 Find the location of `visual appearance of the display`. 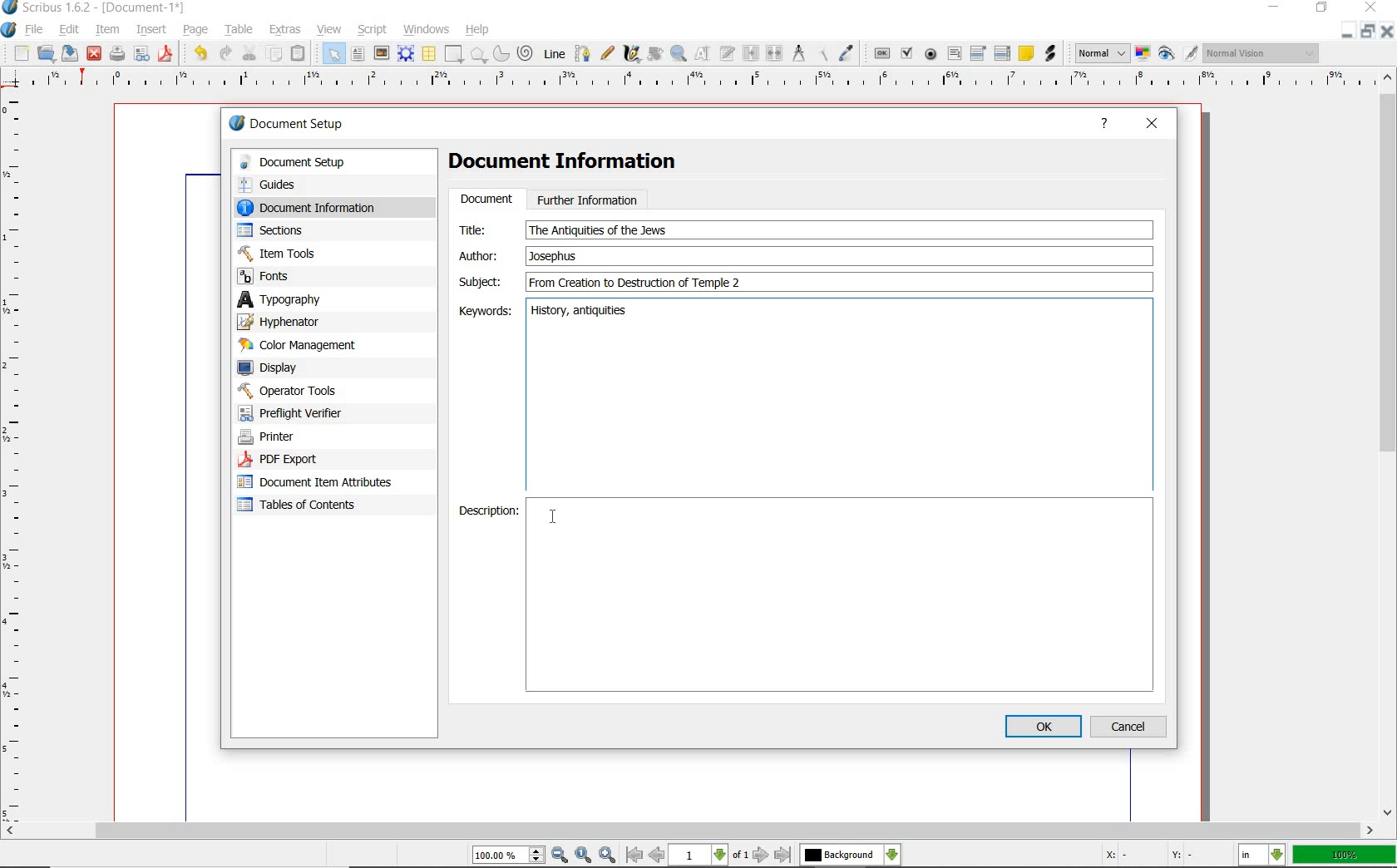

visual appearance of the display is located at coordinates (1262, 52).